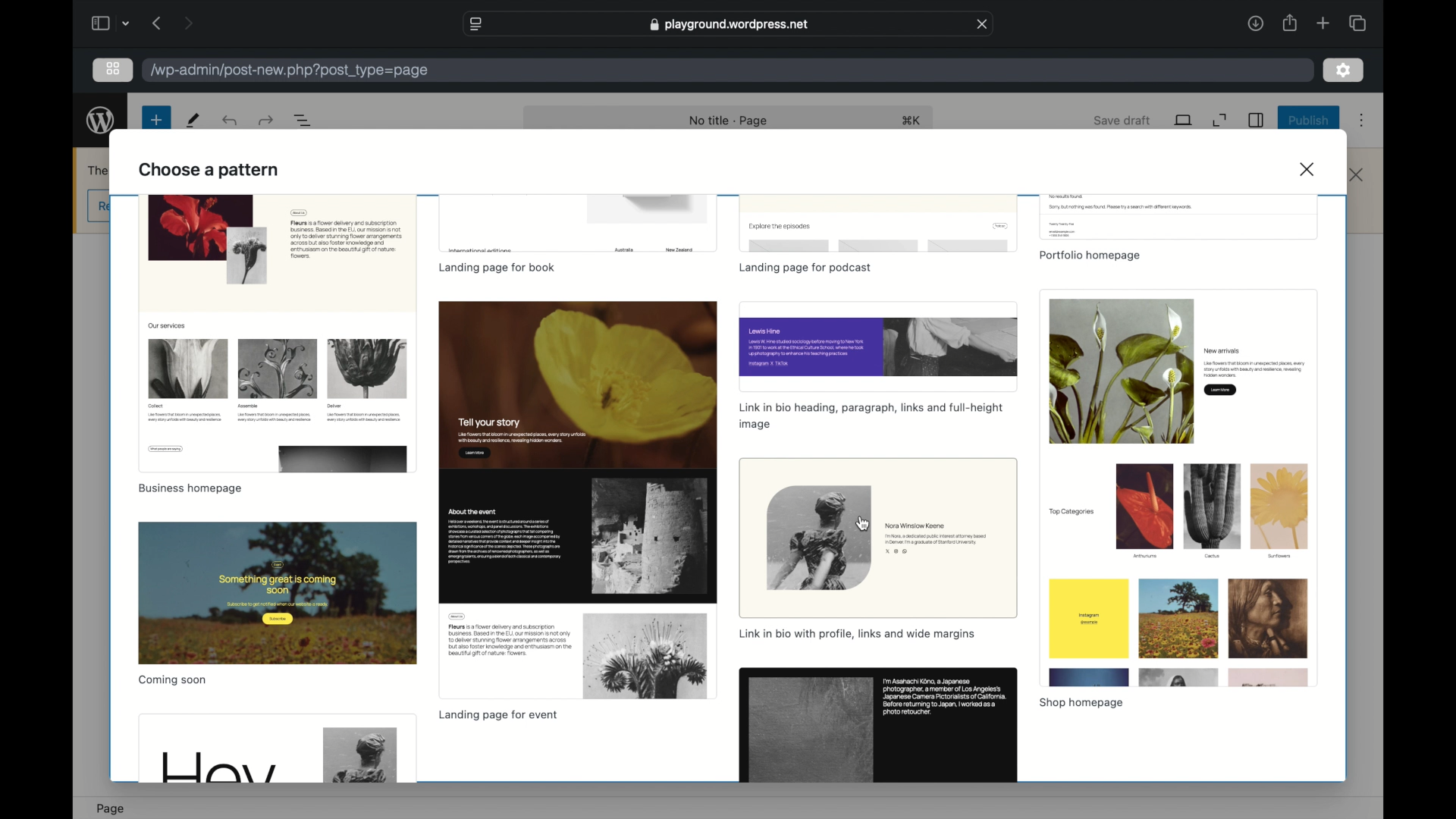 This screenshot has width=1456, height=819. I want to click on new, so click(156, 120).